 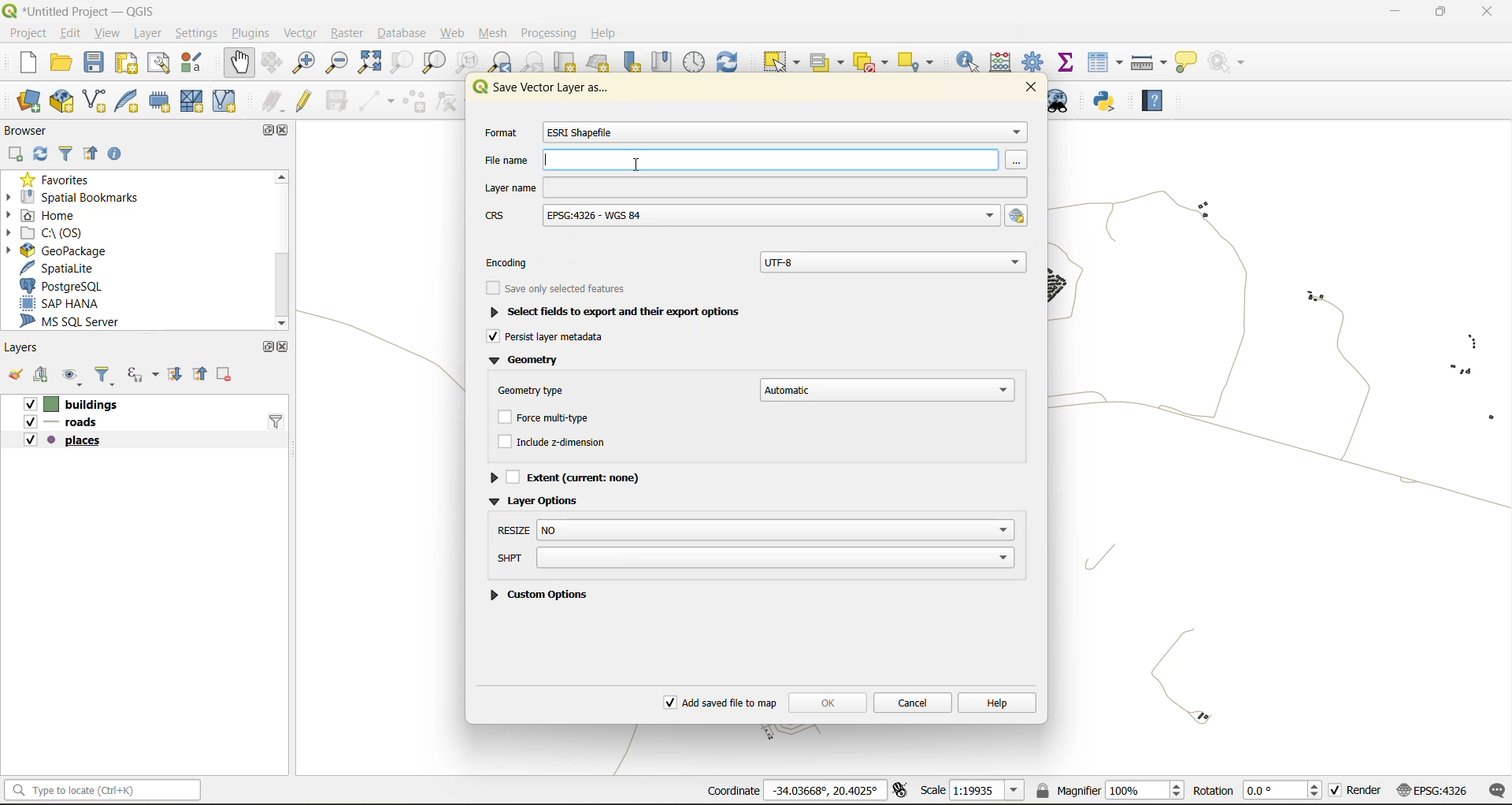 What do you see at coordinates (132, 63) in the screenshot?
I see `print layout` at bounding box center [132, 63].